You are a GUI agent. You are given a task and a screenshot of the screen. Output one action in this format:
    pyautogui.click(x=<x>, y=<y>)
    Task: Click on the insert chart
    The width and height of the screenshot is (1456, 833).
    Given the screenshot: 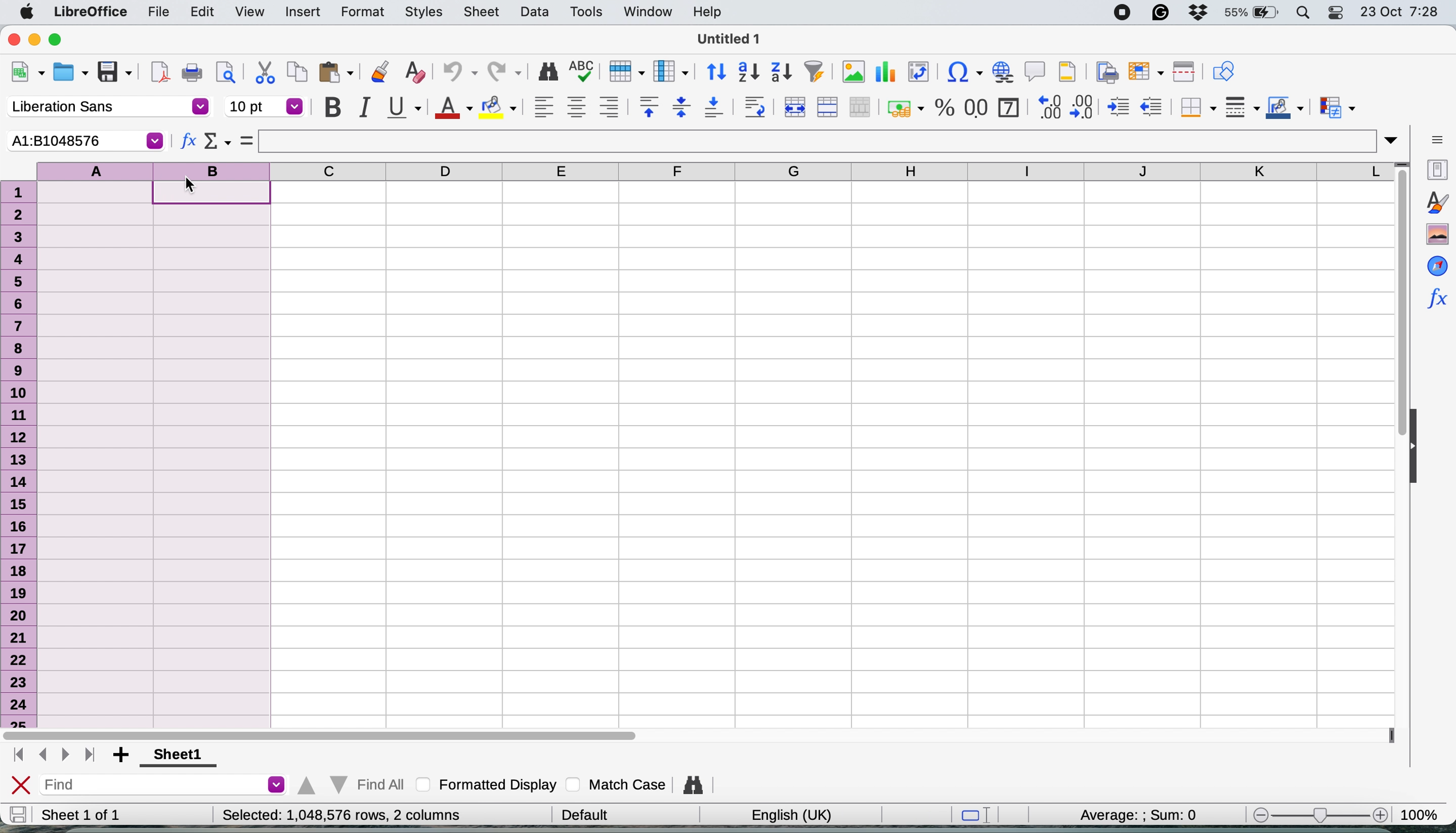 What is the action you would take?
    pyautogui.click(x=887, y=72)
    